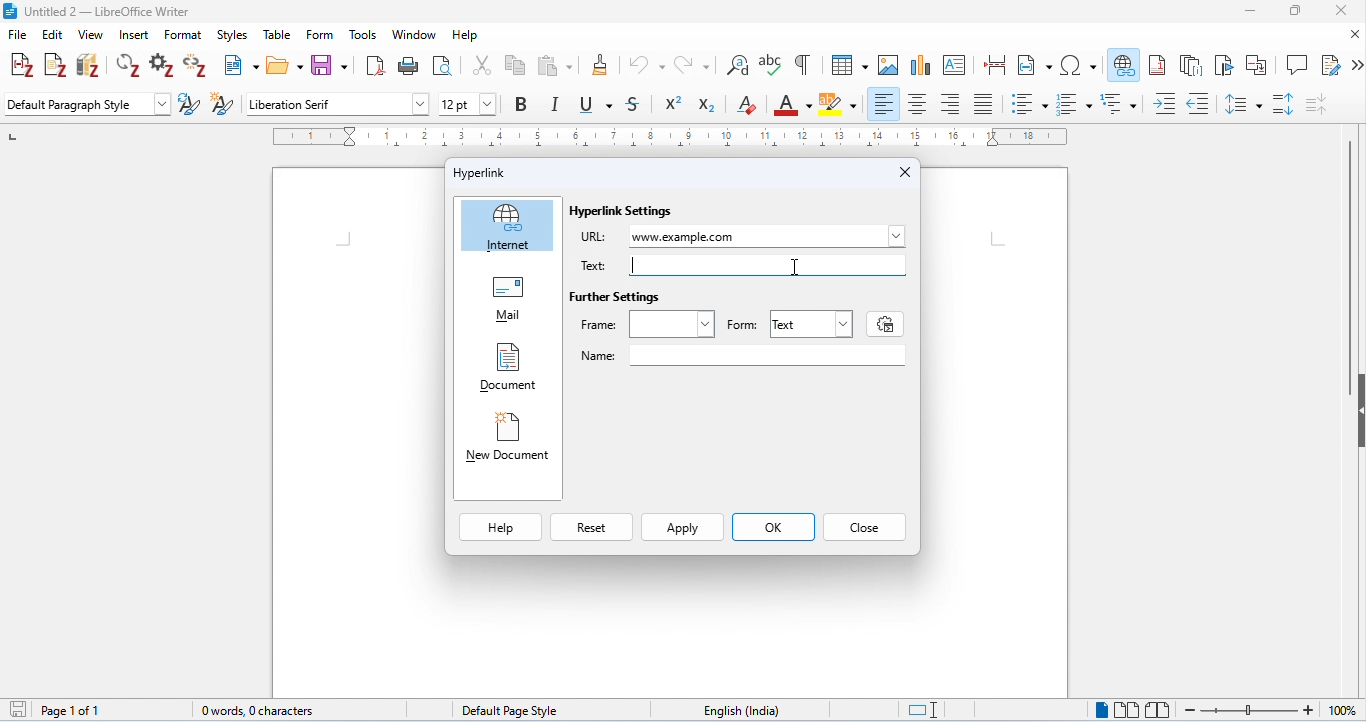 The width and height of the screenshot is (1366, 722). Describe the element at coordinates (88, 65) in the screenshot. I see `add/edit bibliography` at that location.